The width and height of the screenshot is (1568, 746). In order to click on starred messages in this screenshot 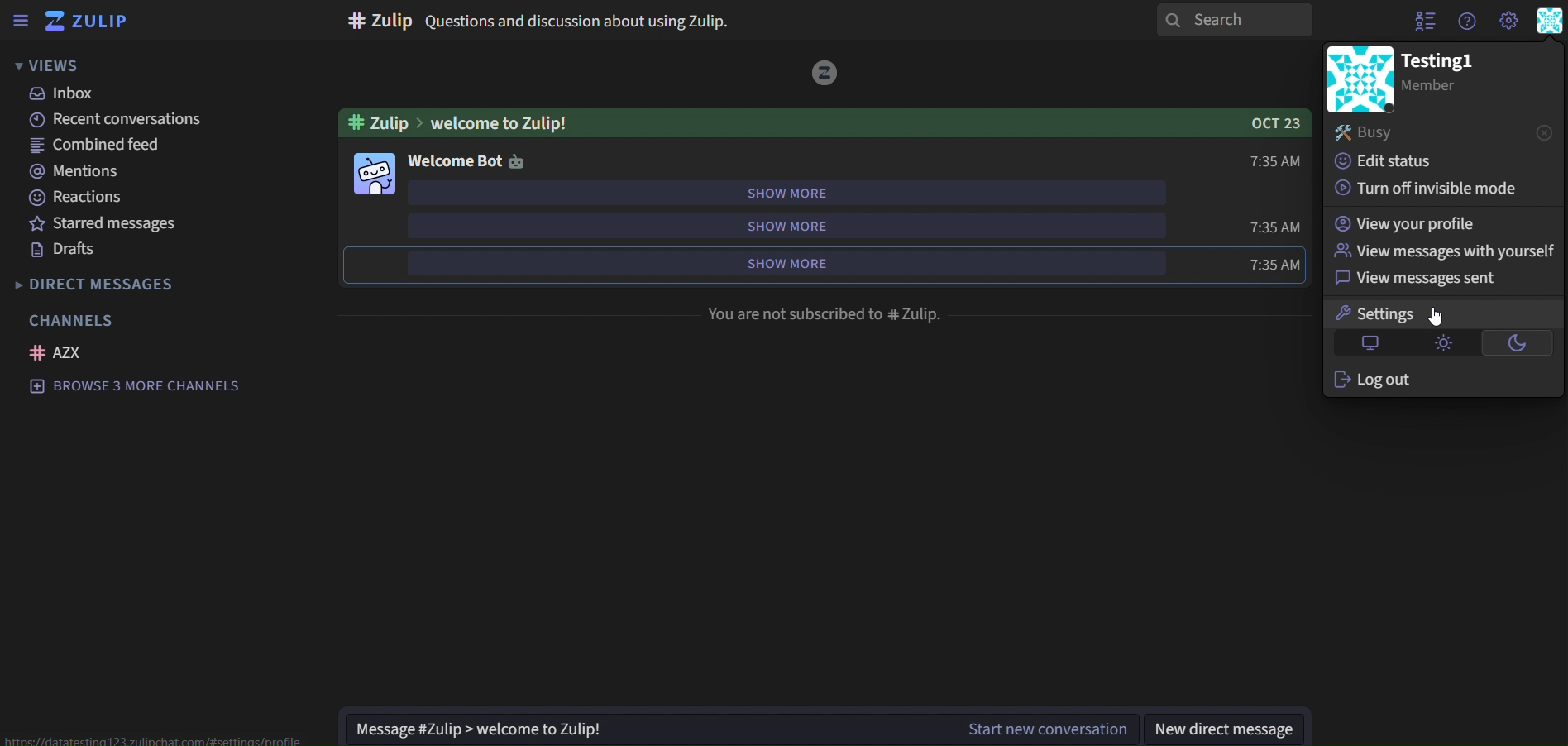, I will do `click(122, 222)`.